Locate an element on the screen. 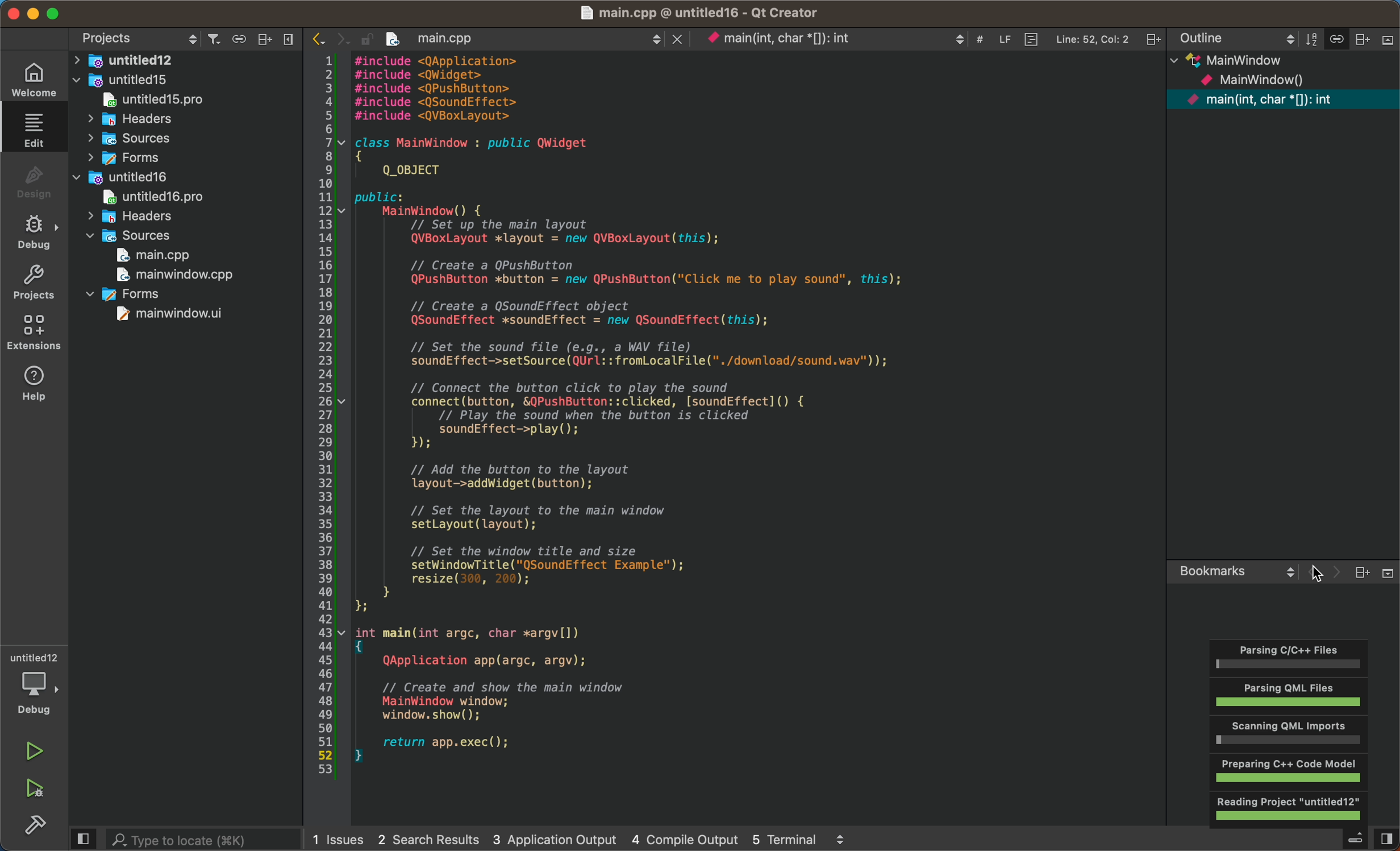 The height and width of the screenshot is (851, 1400). selected project file and folders is located at coordinates (194, 193).